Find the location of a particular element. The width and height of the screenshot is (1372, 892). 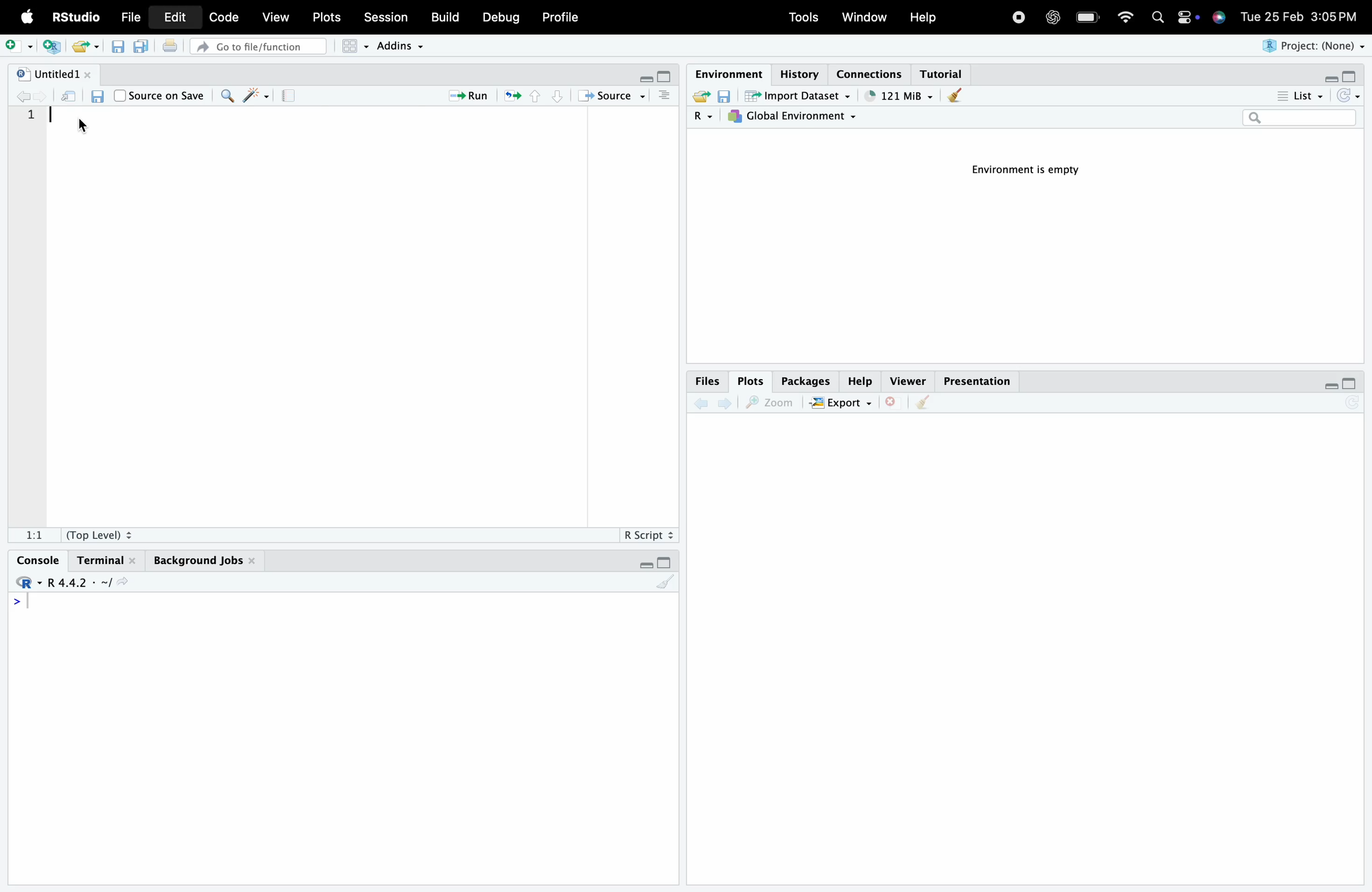

Untitled1 is located at coordinates (54, 72).